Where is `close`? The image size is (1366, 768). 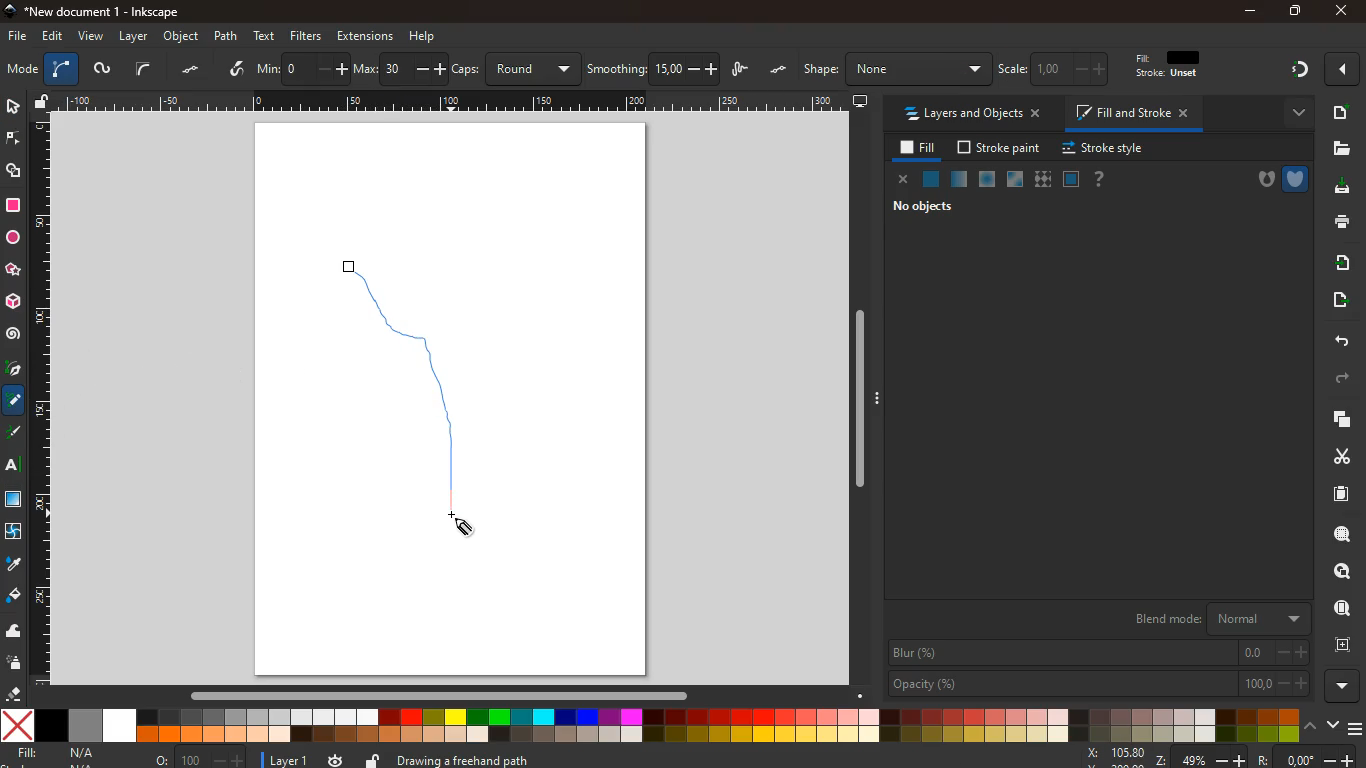
close is located at coordinates (1343, 11).